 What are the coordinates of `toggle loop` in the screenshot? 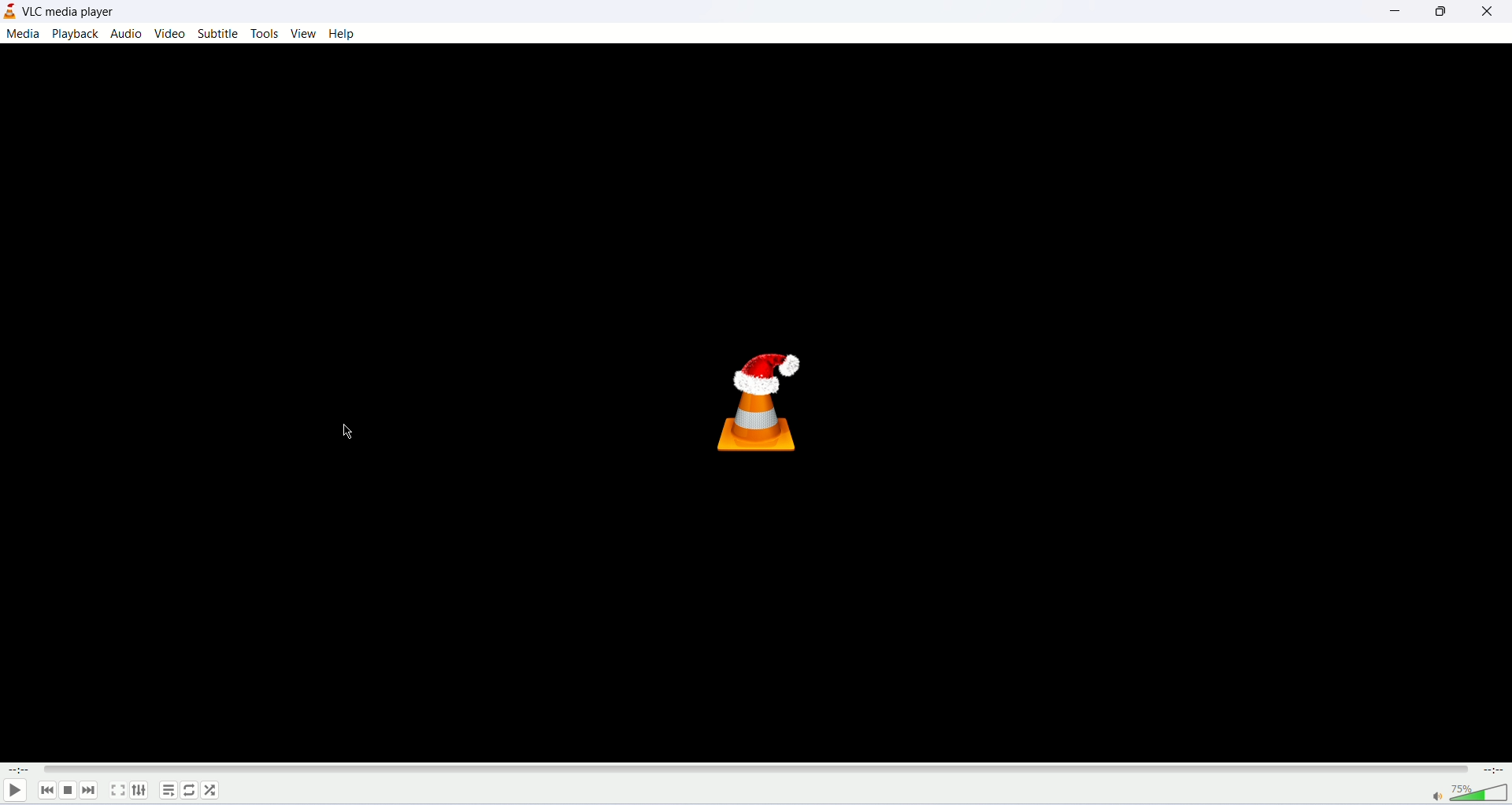 It's located at (190, 792).